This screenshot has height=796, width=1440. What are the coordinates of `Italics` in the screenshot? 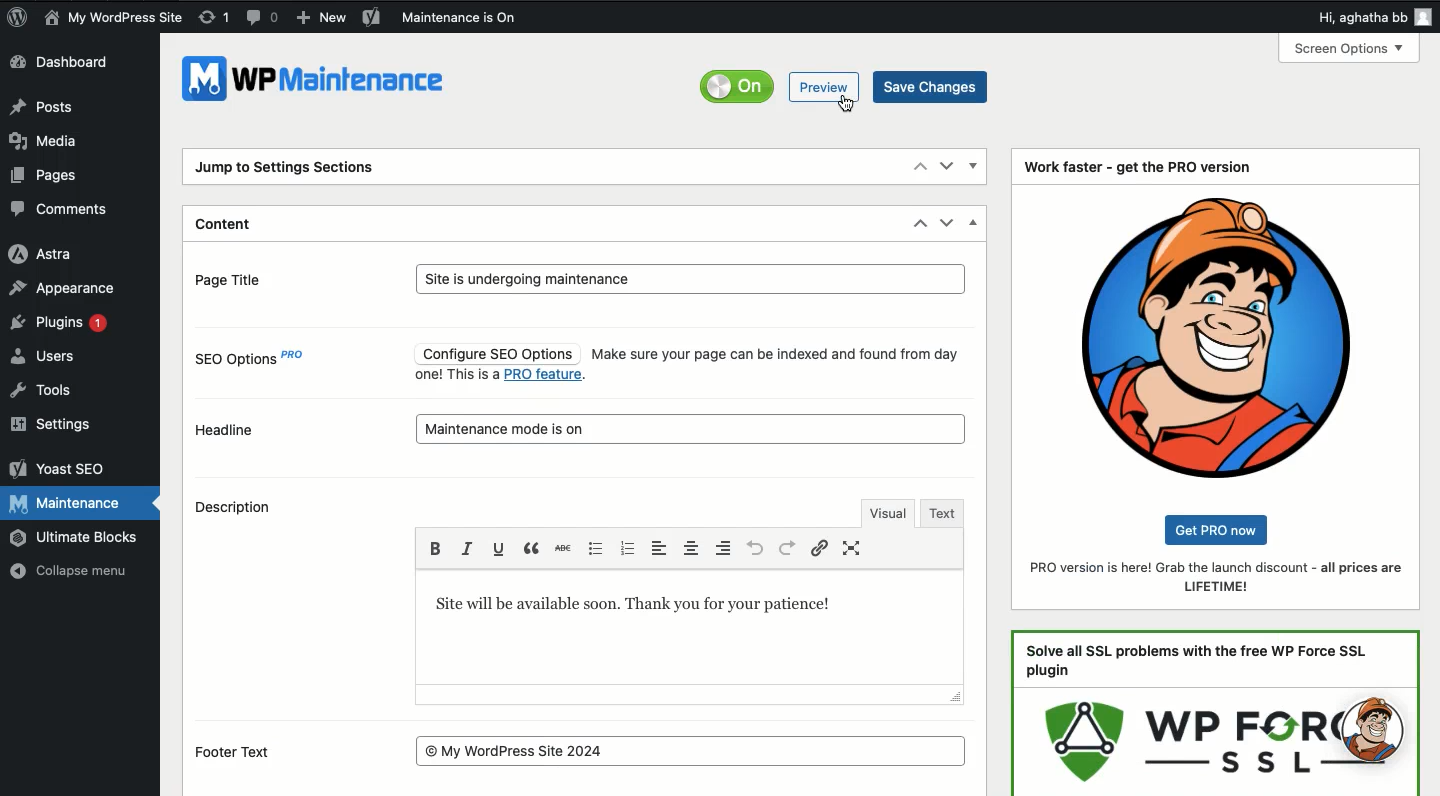 It's located at (467, 547).